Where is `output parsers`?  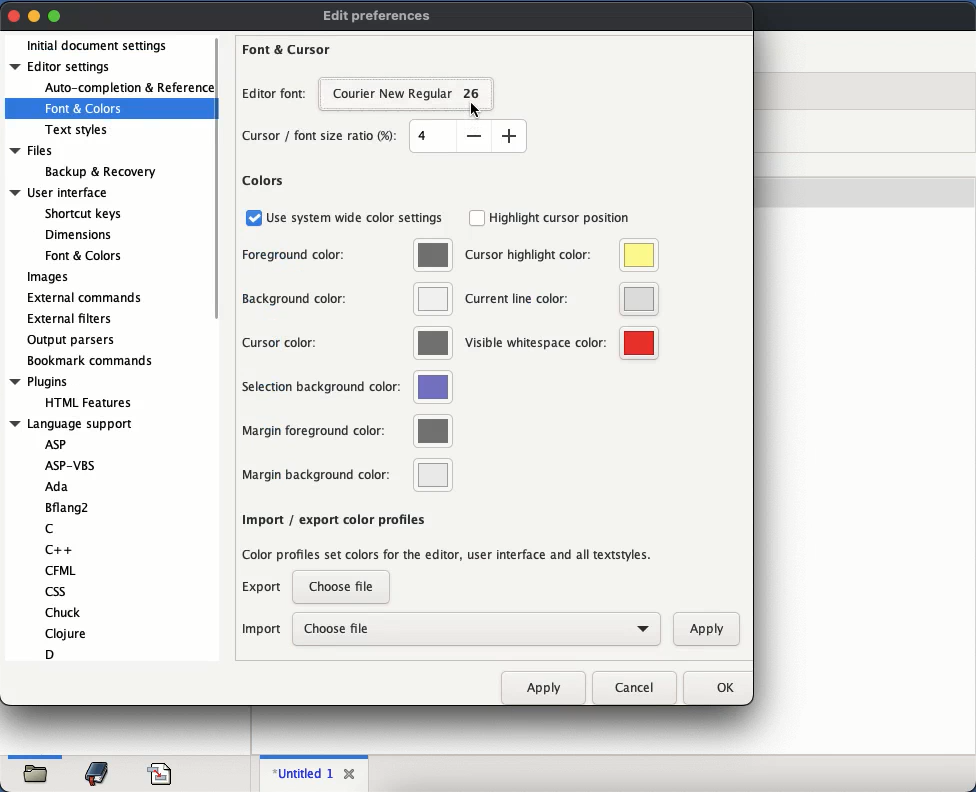 output parsers is located at coordinates (73, 340).